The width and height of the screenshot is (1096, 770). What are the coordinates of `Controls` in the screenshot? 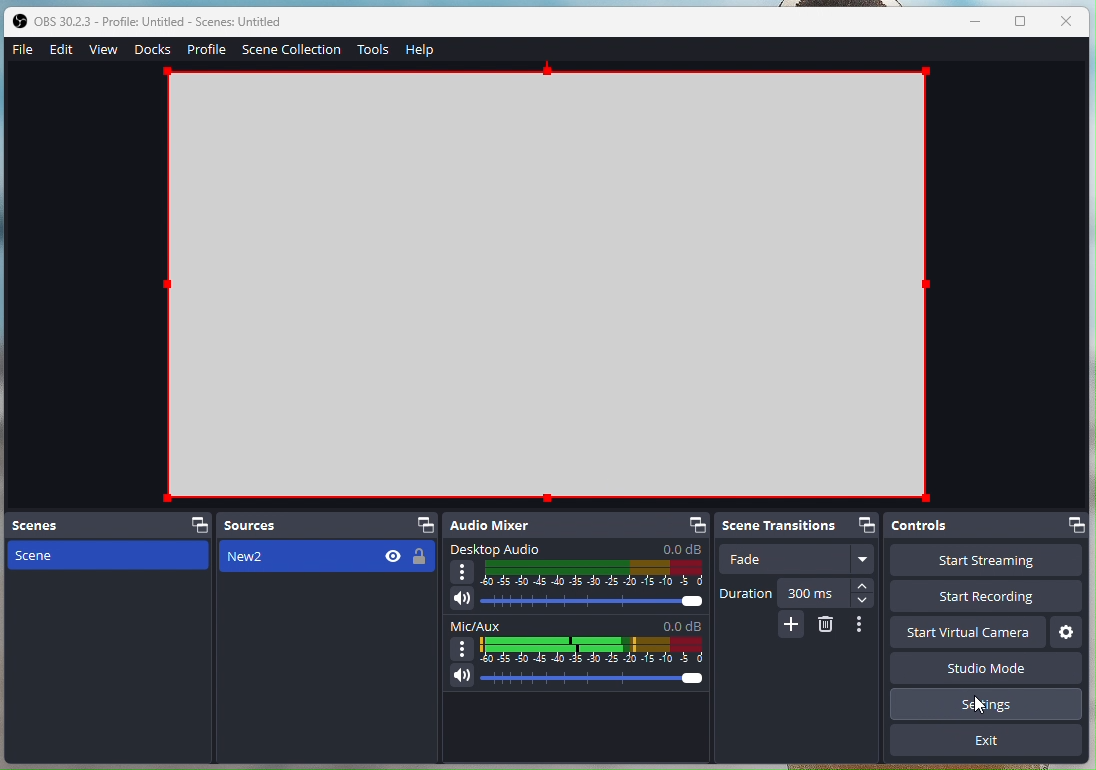 It's located at (959, 526).